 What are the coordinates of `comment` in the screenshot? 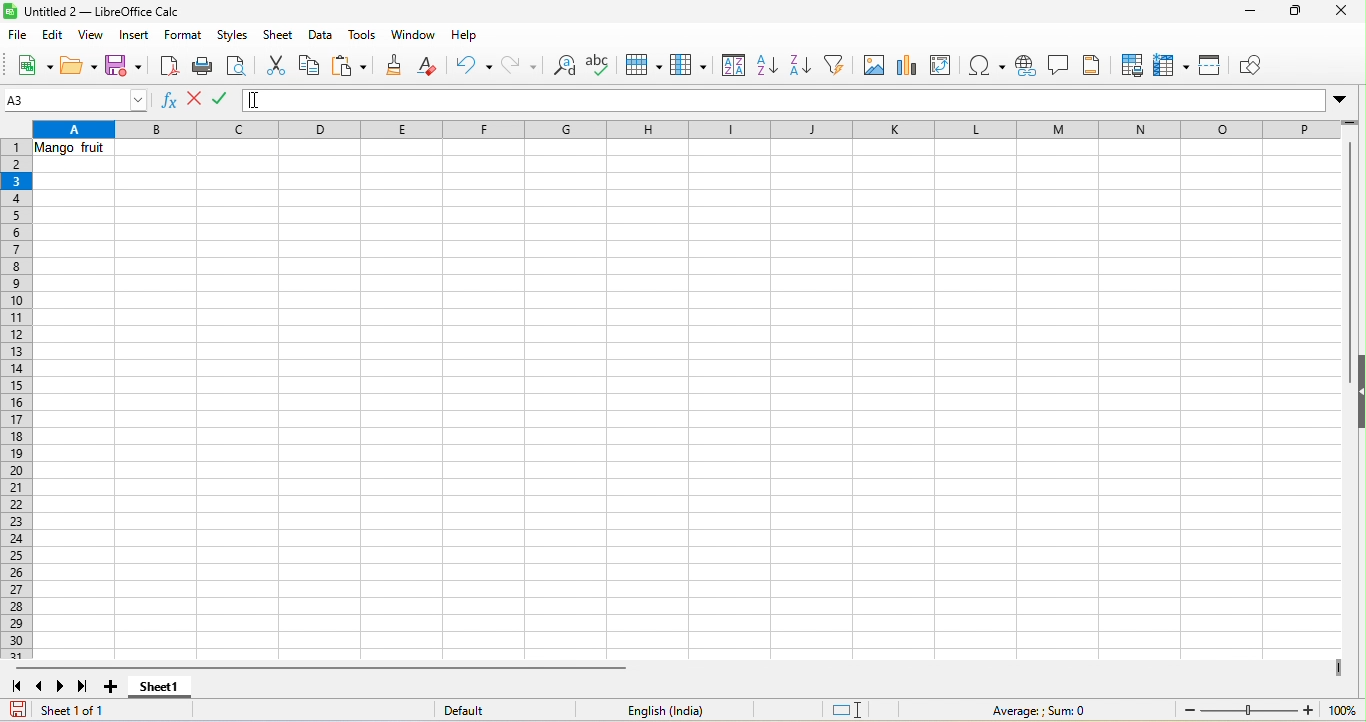 It's located at (1061, 67).